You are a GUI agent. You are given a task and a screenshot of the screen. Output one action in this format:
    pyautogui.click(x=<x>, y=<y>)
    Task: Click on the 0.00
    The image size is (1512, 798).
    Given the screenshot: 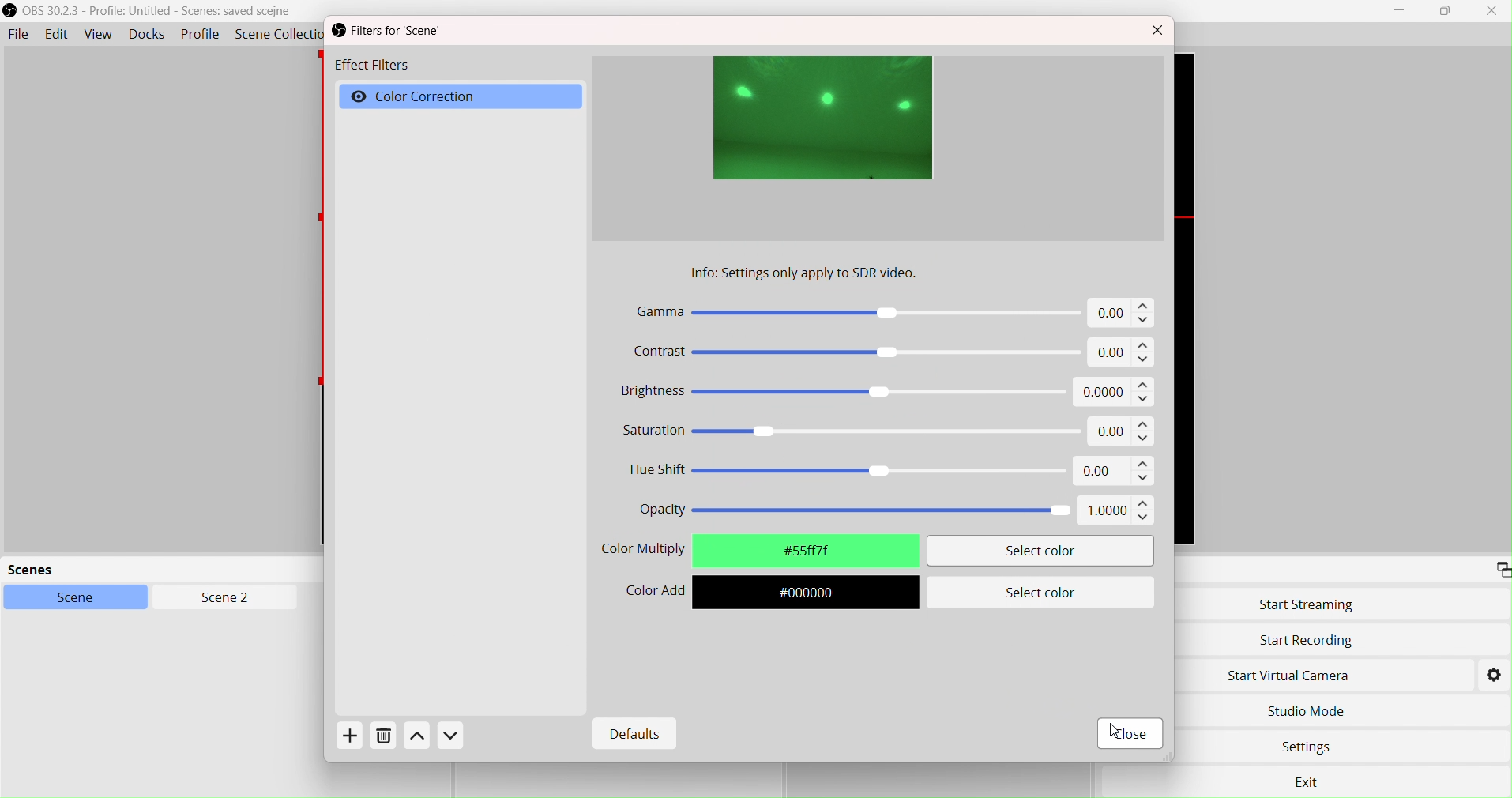 What is the action you would take?
    pyautogui.click(x=1123, y=432)
    